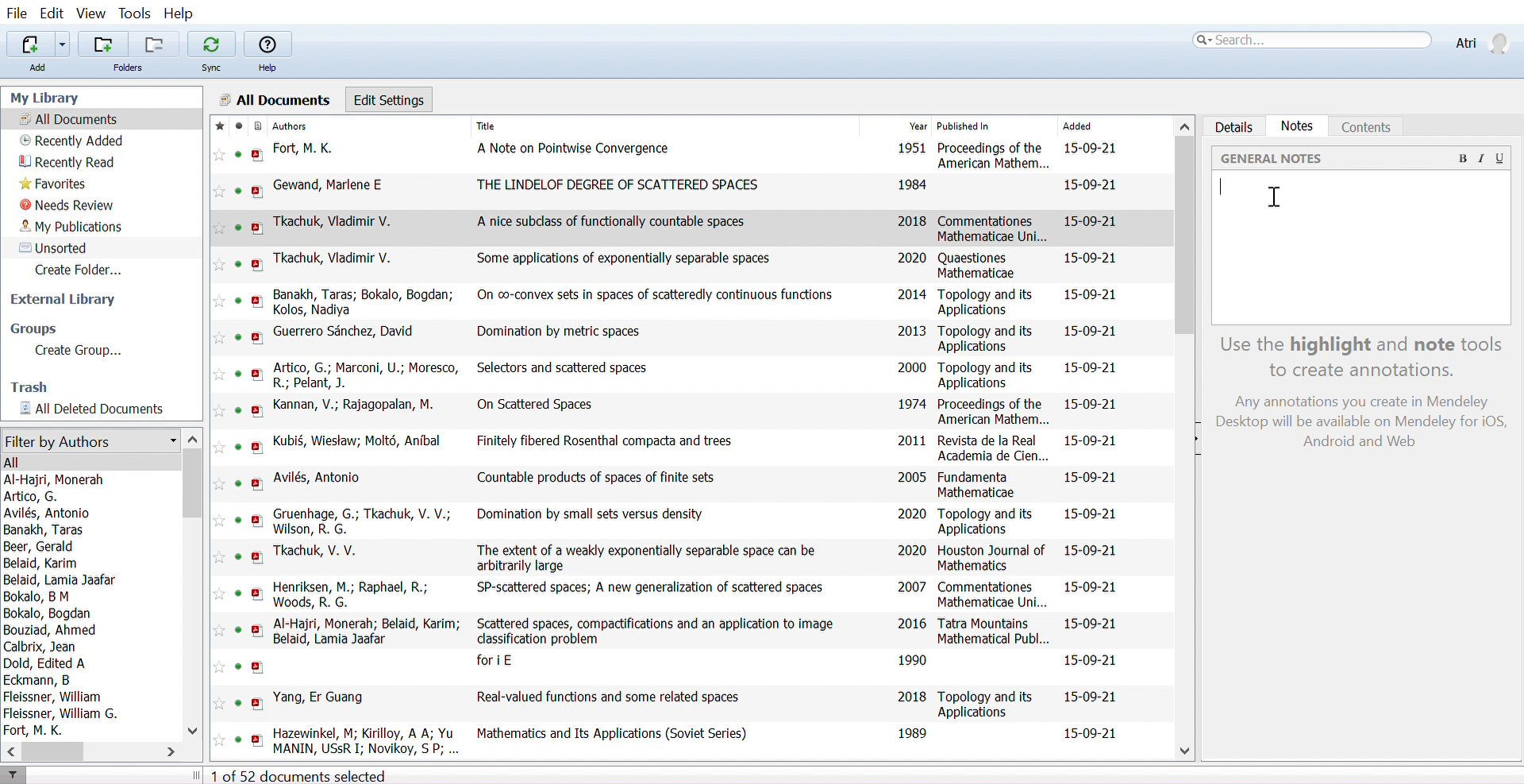 This screenshot has width=1524, height=784. What do you see at coordinates (619, 185) in the screenshot?
I see `THE LINDELOF DEGREE OF SCATTERED SPACES` at bounding box center [619, 185].